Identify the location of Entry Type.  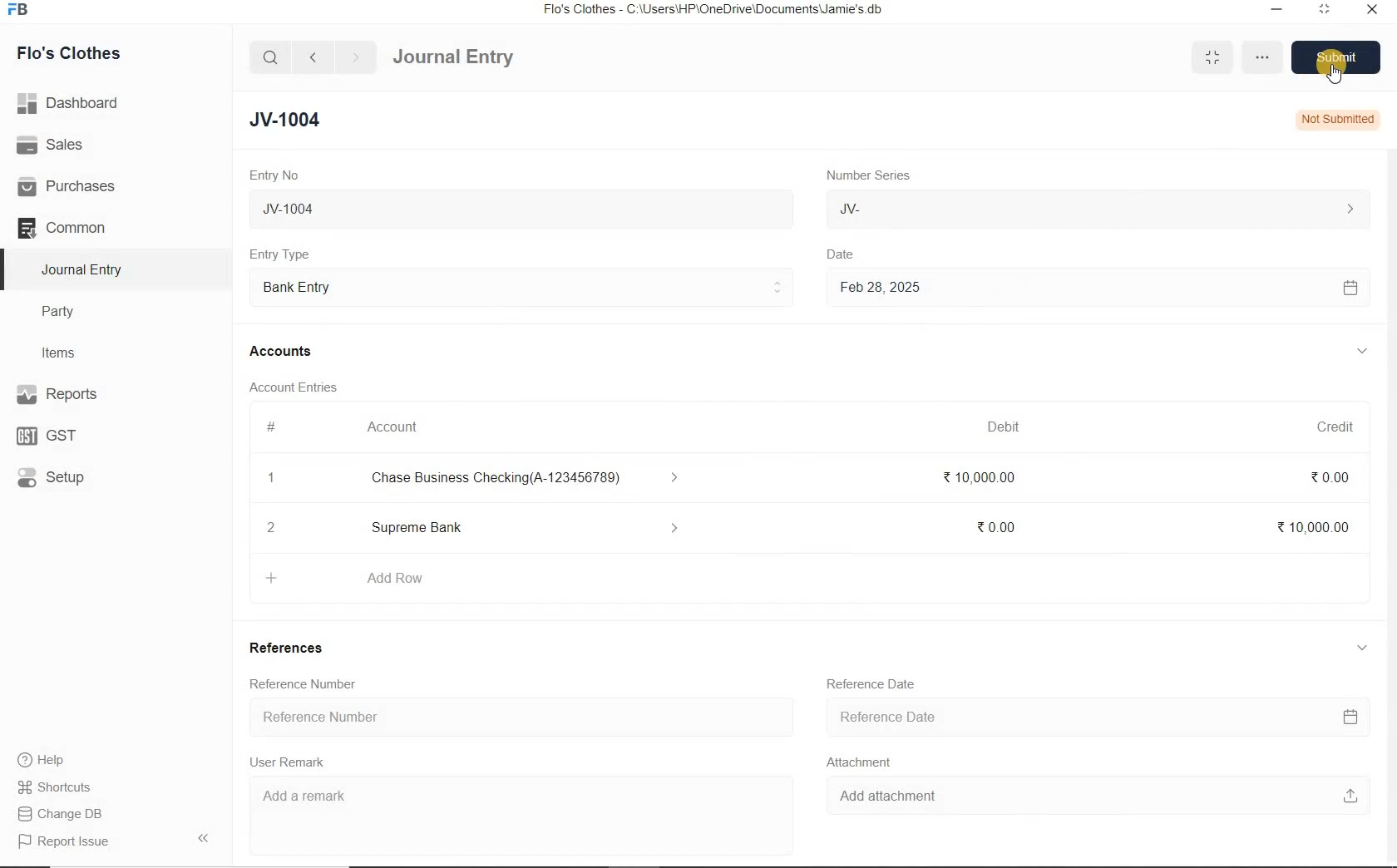
(285, 254).